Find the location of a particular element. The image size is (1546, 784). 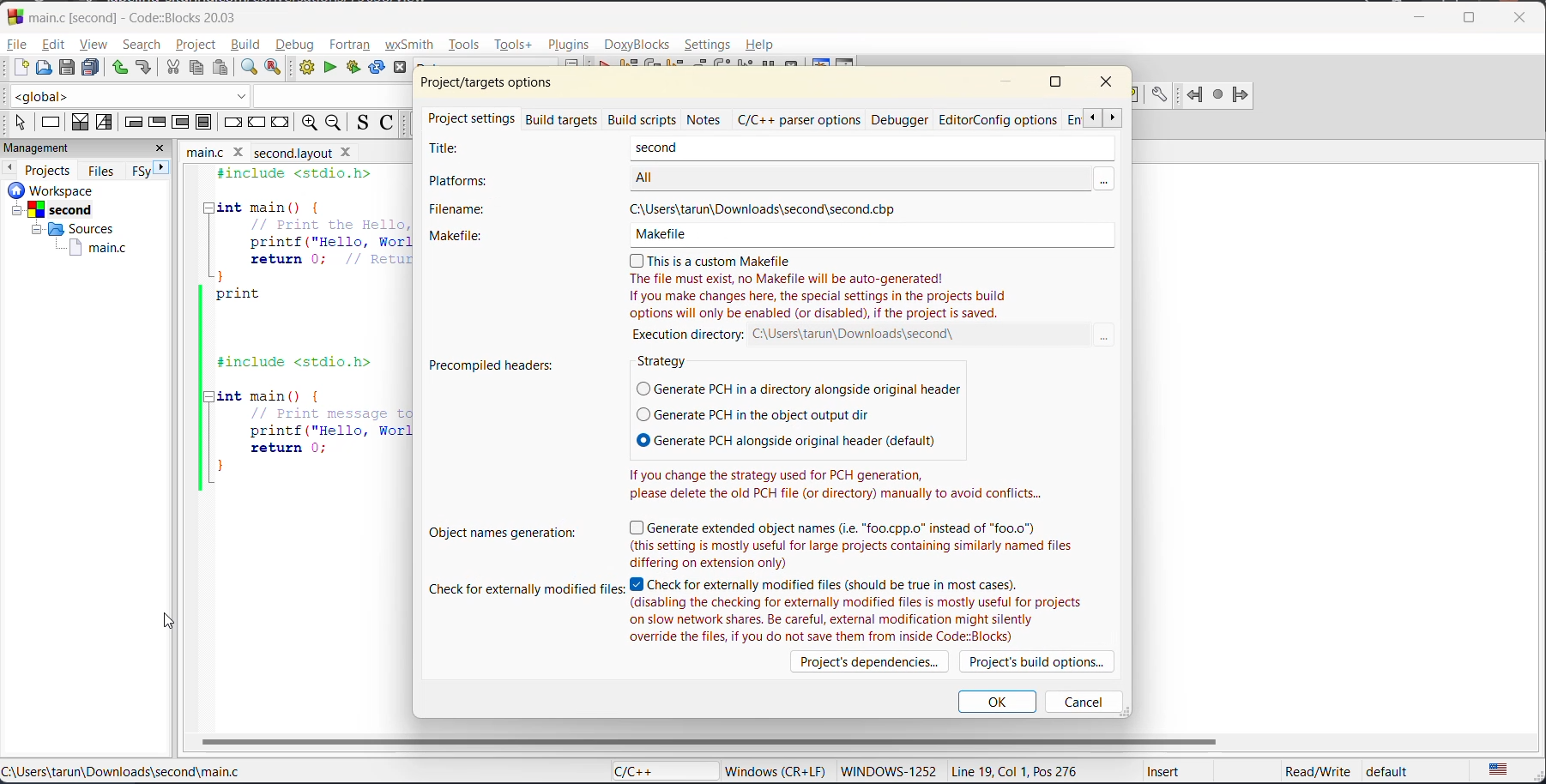

instruction is located at coordinates (51, 125).